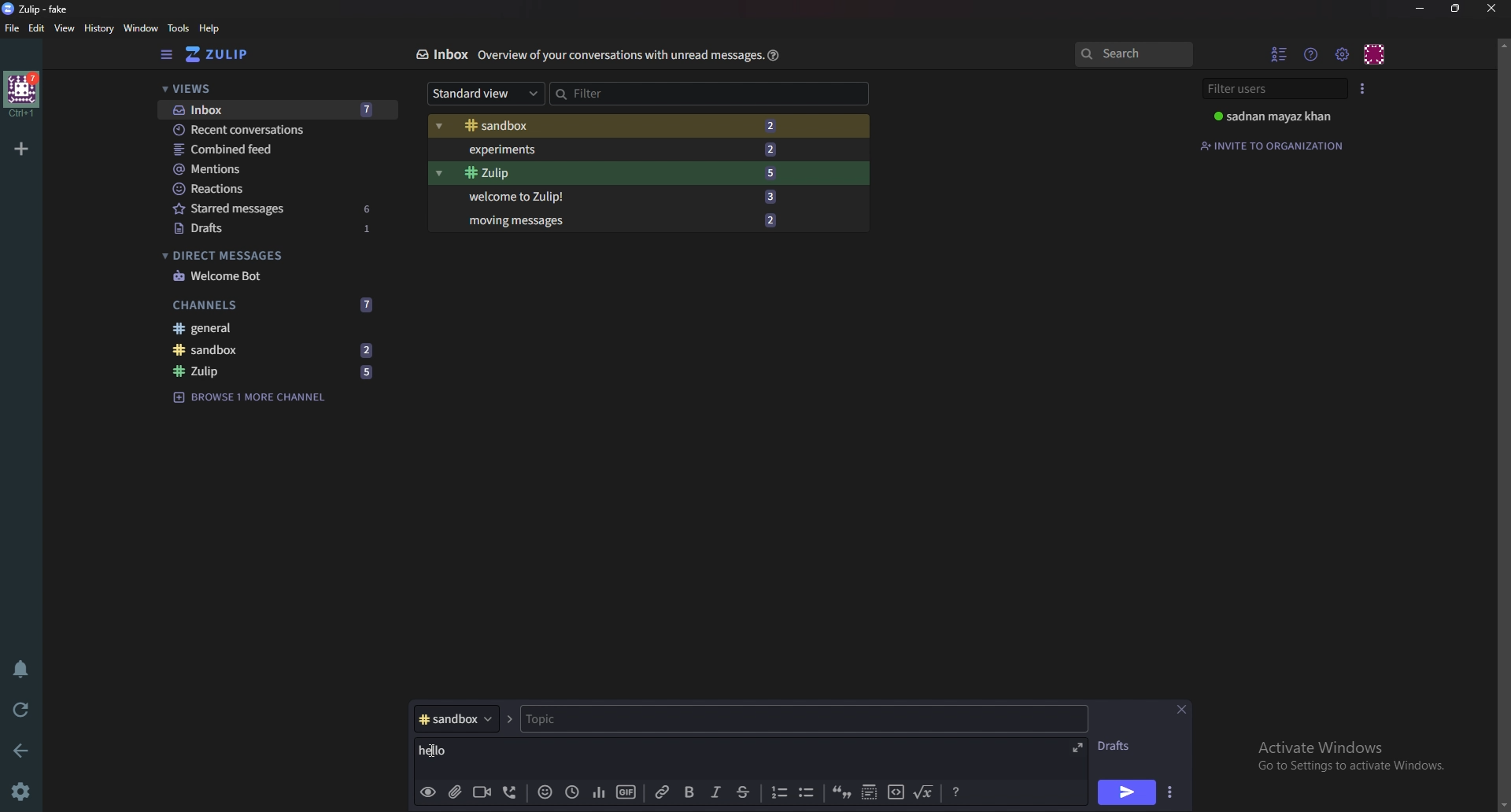 The width and height of the screenshot is (1511, 812). I want to click on #  sandbox, so click(465, 718).